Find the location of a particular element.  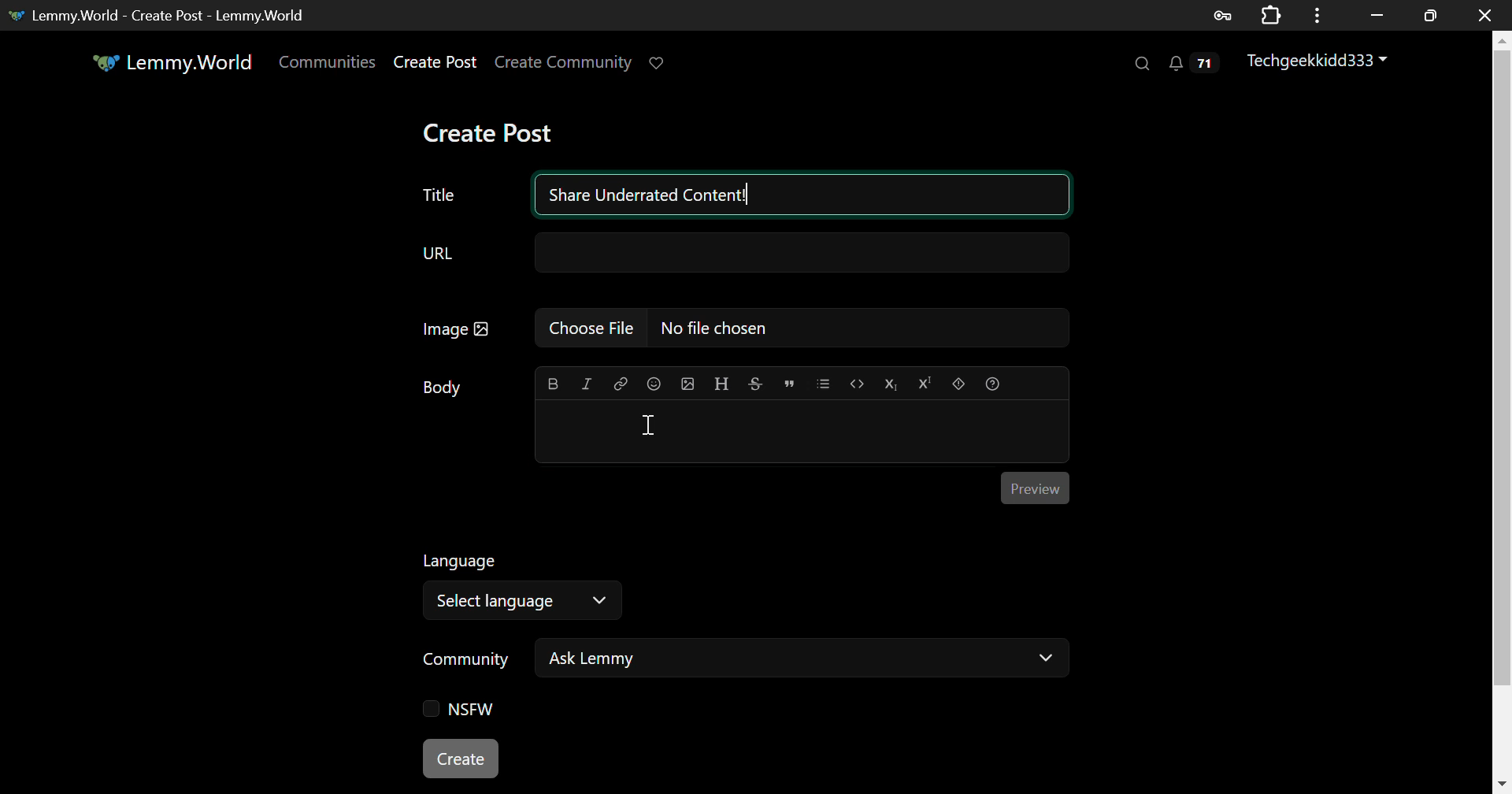

Emoji is located at coordinates (654, 383).